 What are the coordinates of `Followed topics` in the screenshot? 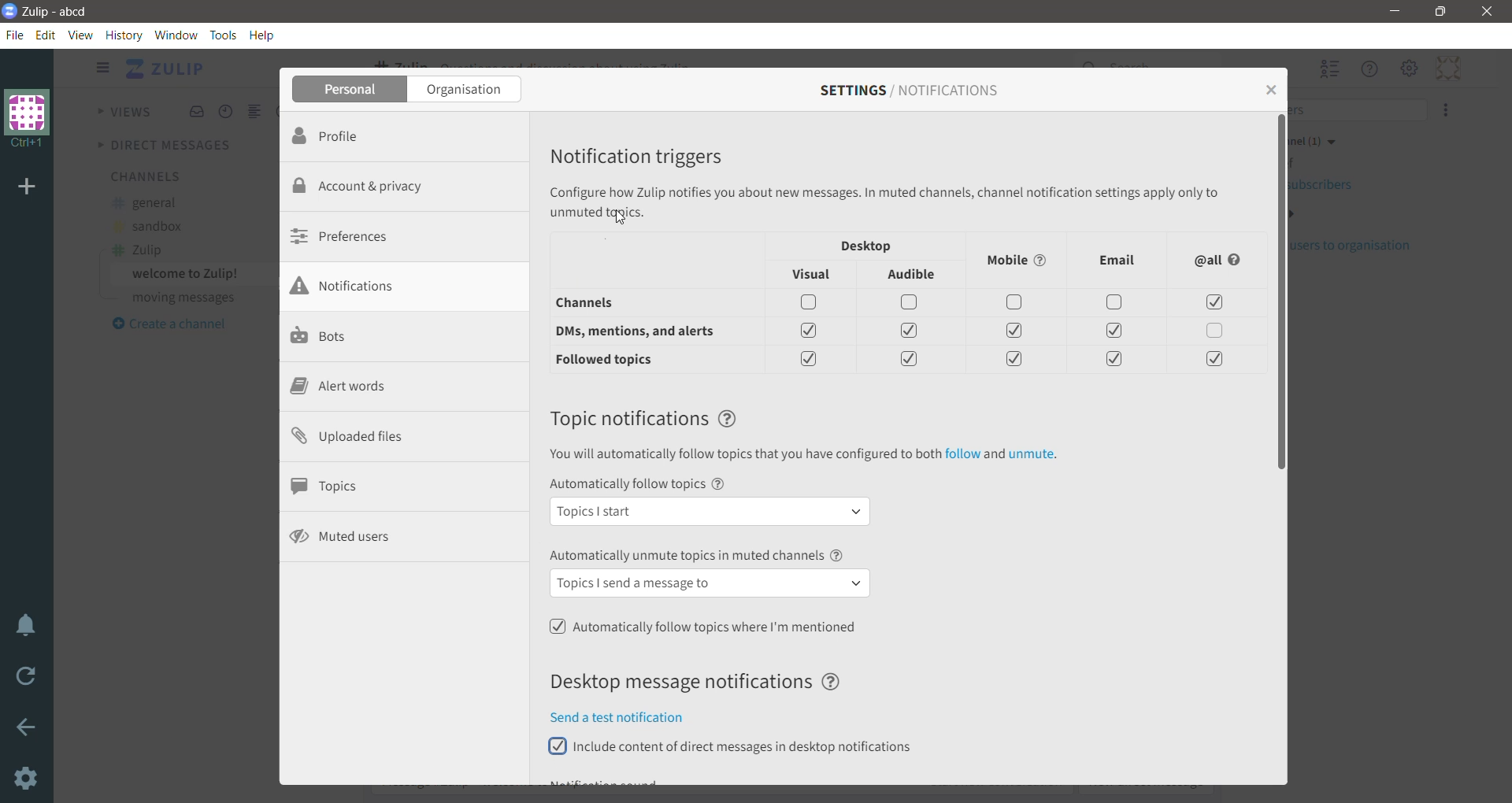 It's located at (615, 361).